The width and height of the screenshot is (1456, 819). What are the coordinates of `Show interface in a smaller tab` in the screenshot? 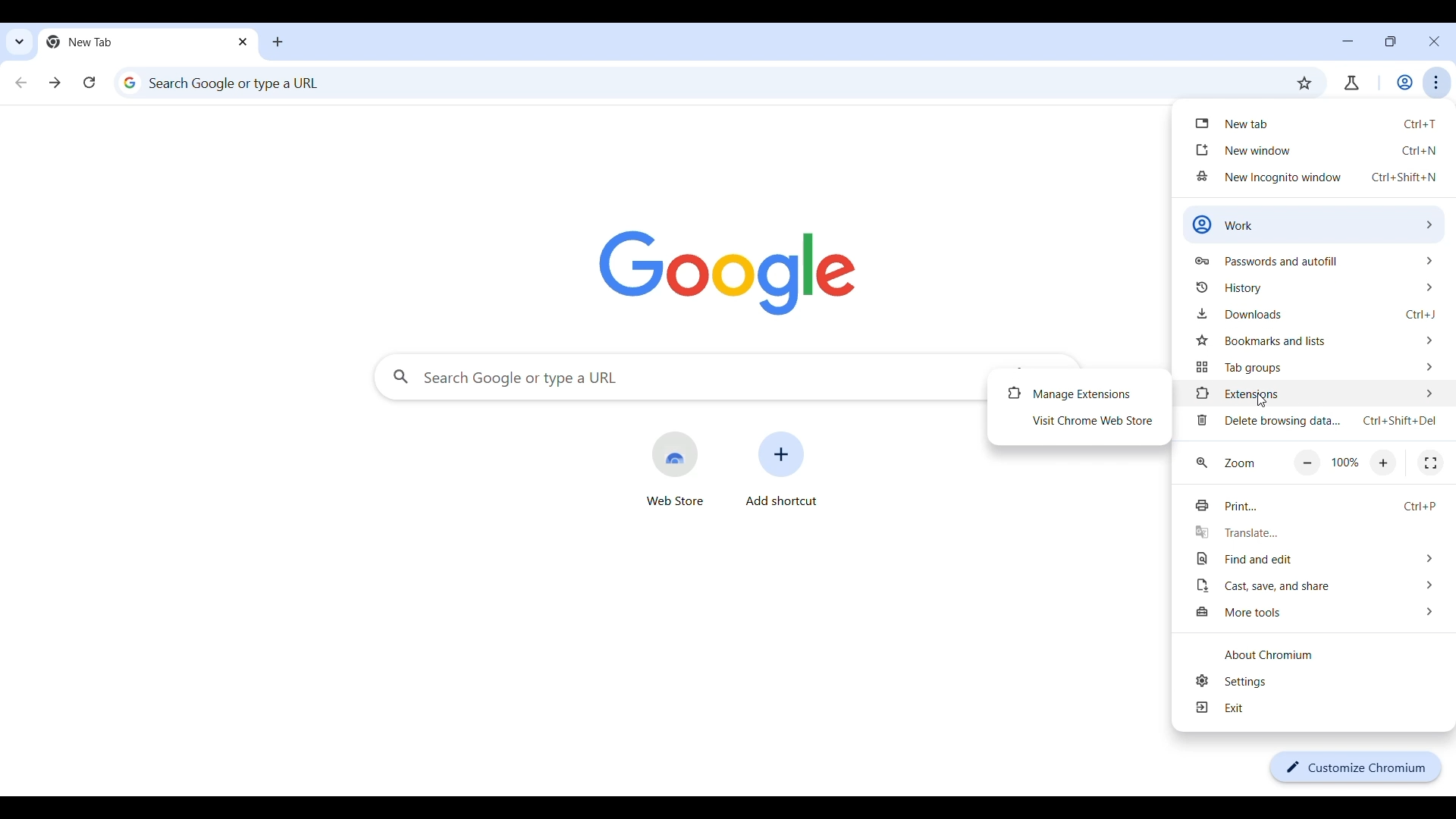 It's located at (1390, 41).